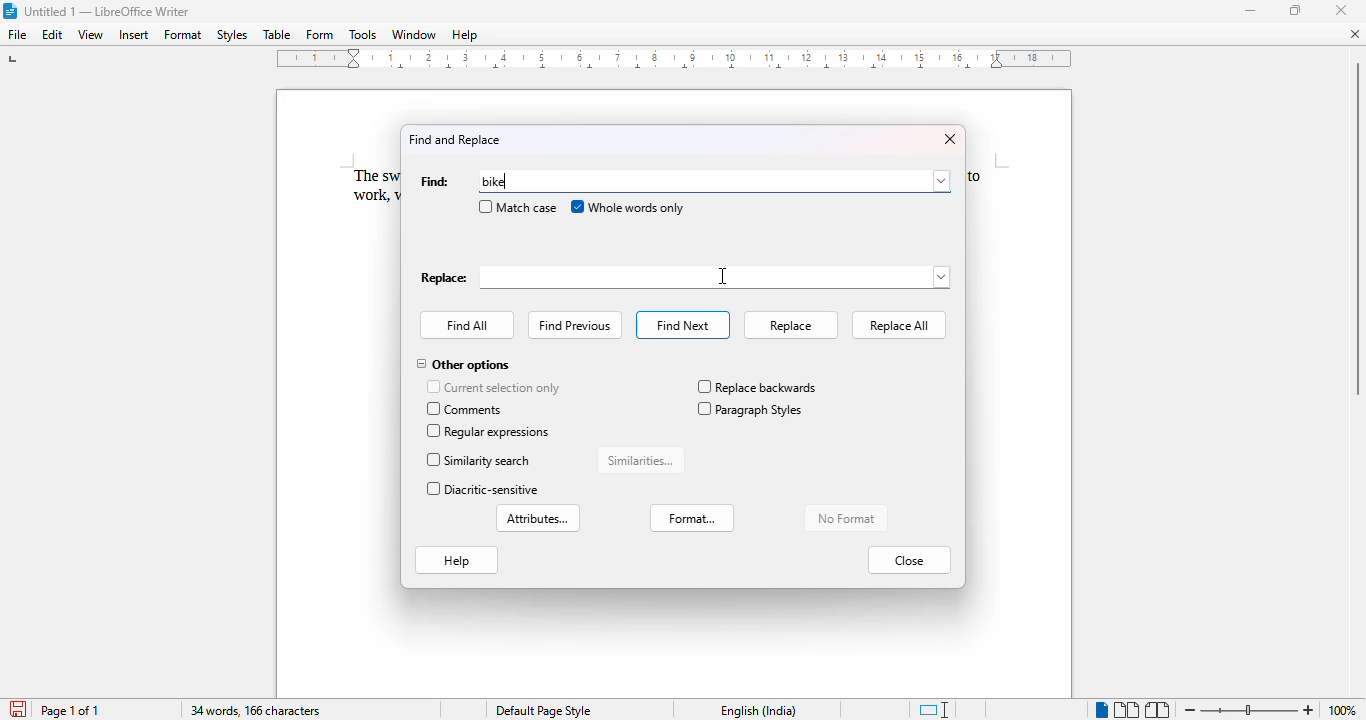  Describe the element at coordinates (1101, 710) in the screenshot. I see `single-page view` at that location.